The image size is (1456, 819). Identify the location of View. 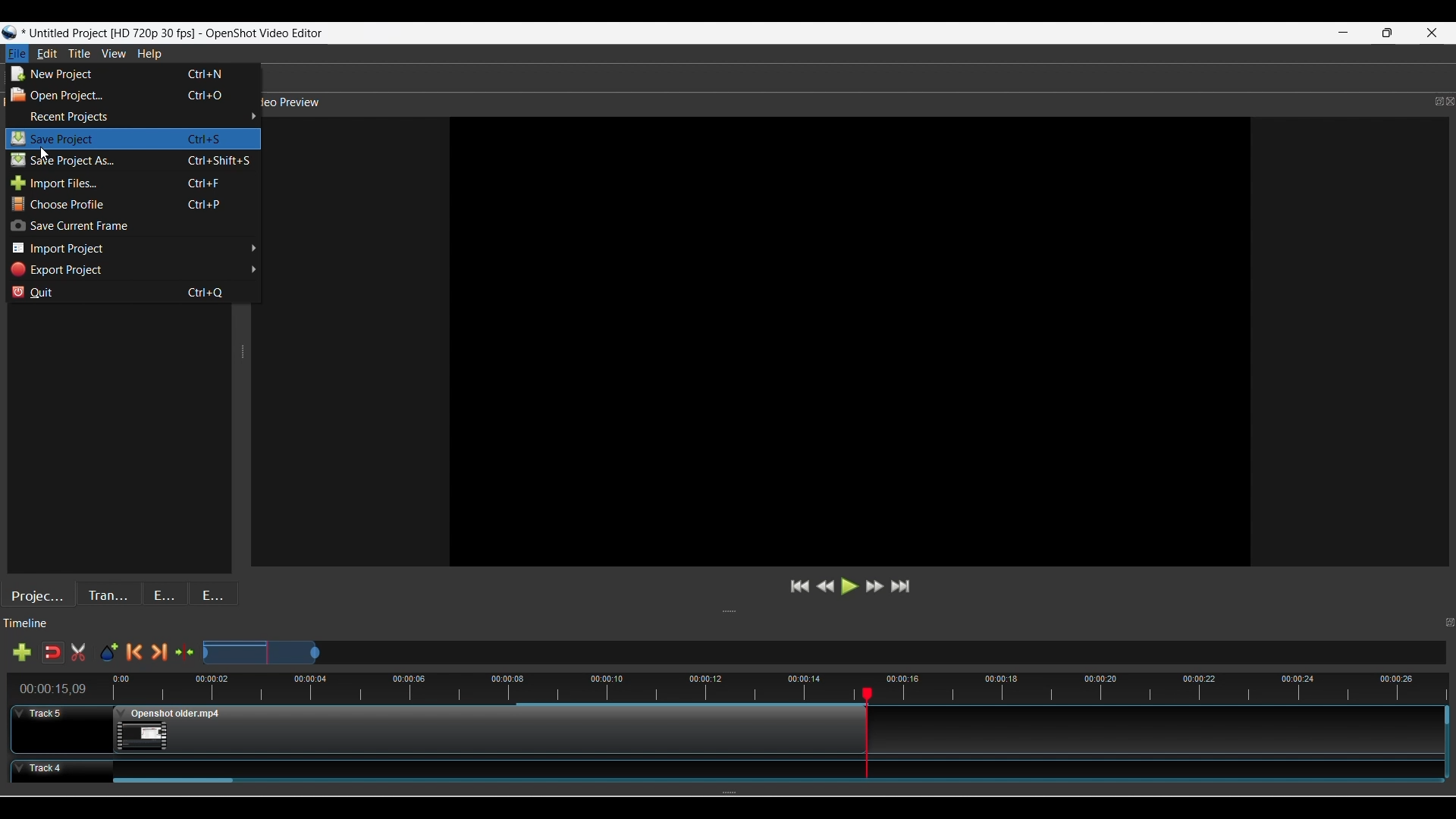
(115, 54).